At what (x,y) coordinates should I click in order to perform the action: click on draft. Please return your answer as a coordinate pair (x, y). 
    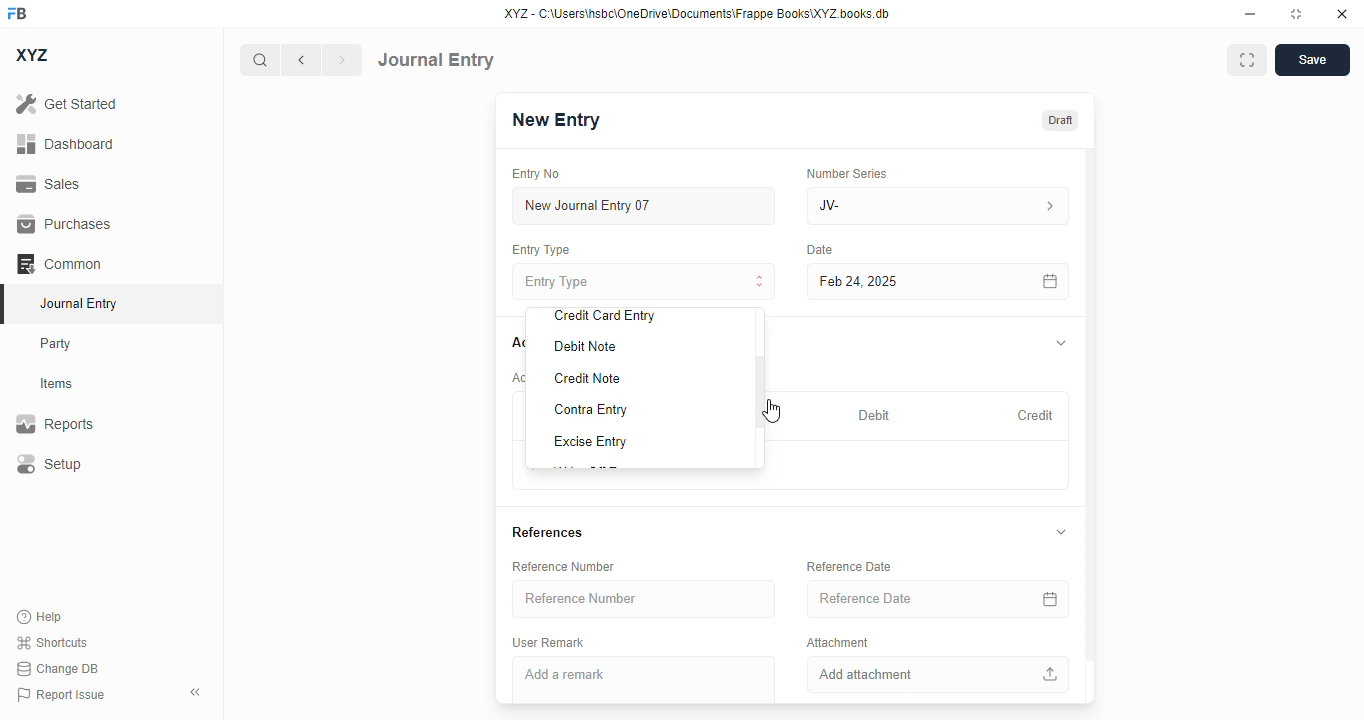
    Looking at the image, I should click on (1061, 119).